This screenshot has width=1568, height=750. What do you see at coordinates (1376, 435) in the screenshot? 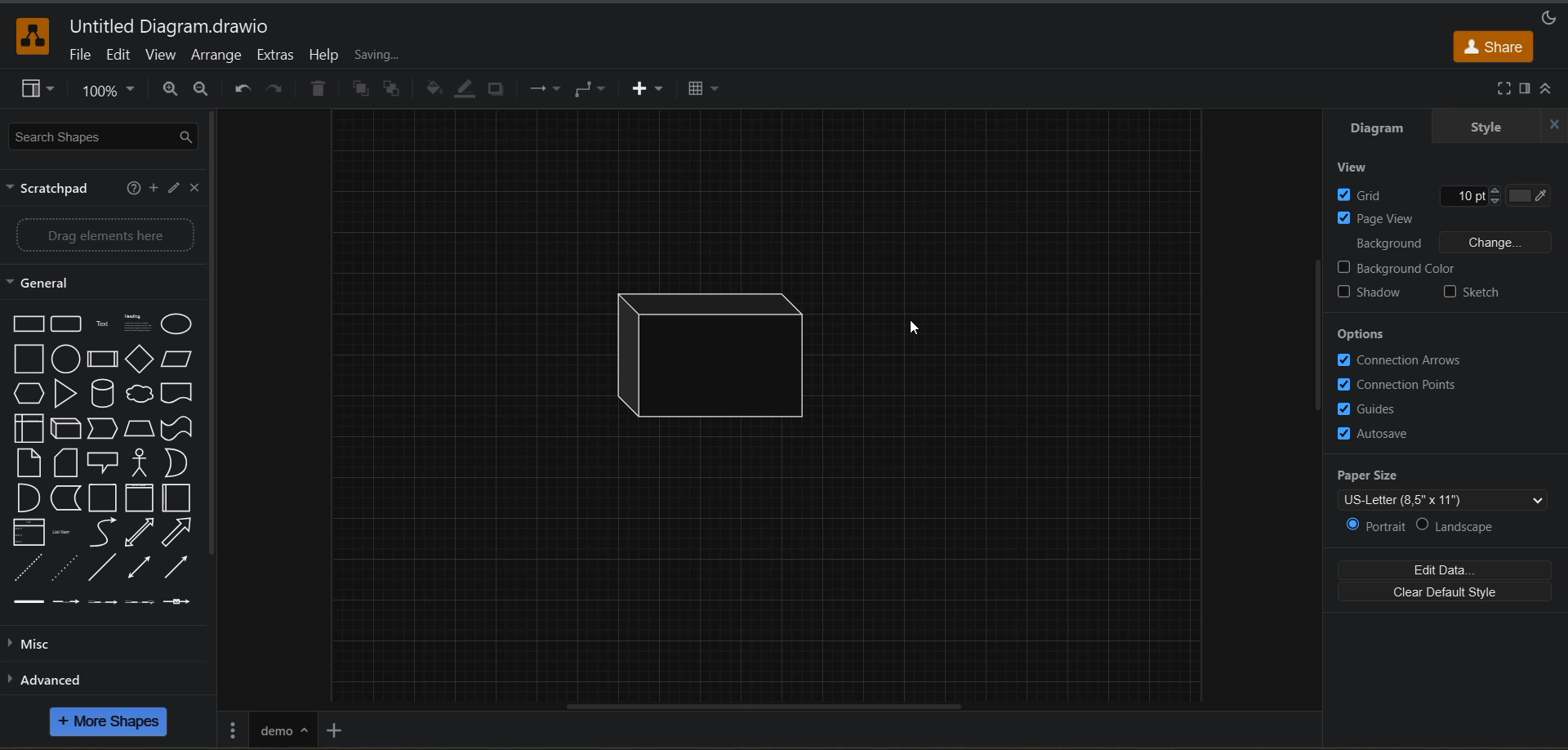
I see `autosave` at bounding box center [1376, 435].